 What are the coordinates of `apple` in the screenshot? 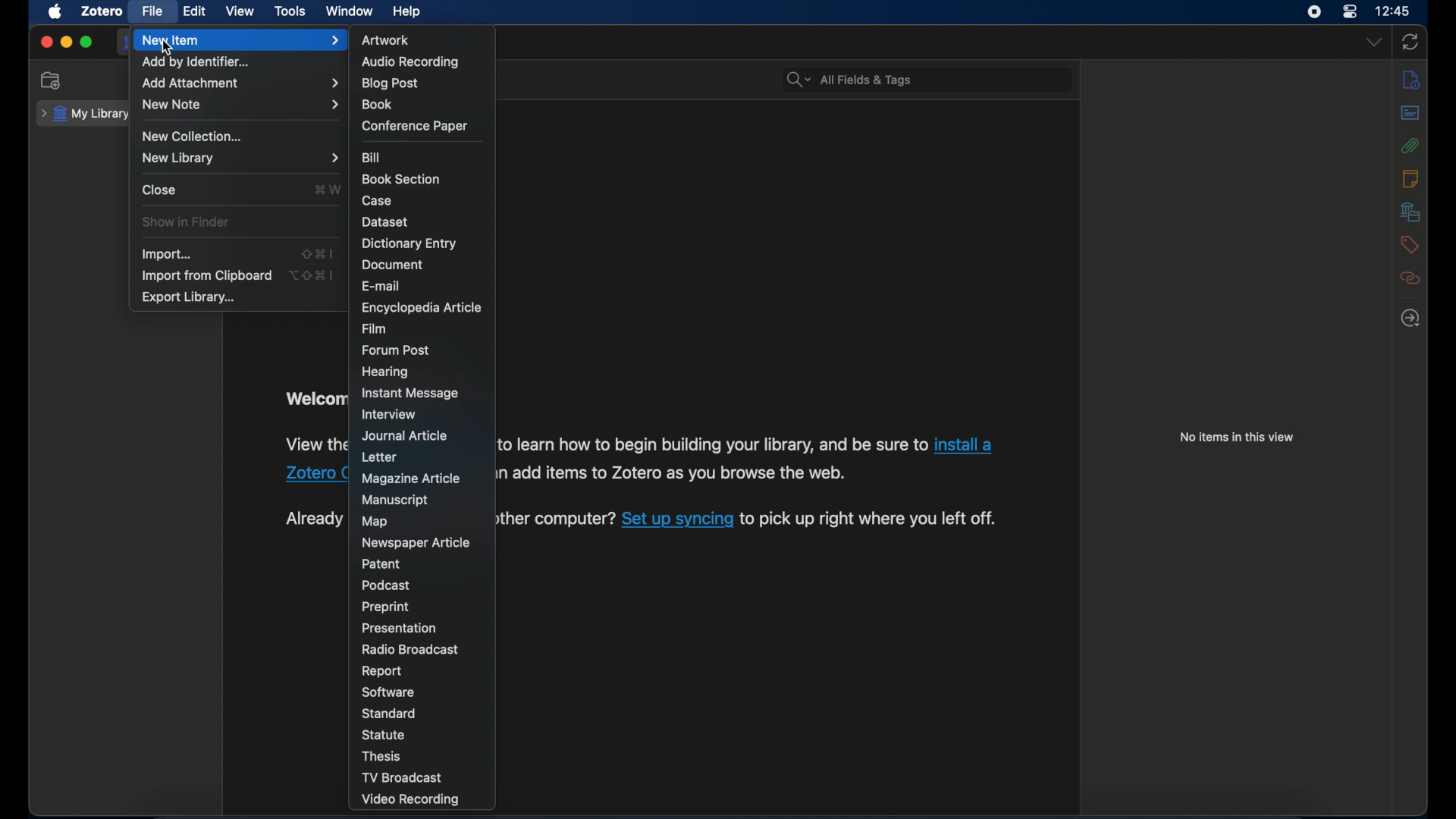 It's located at (56, 11).